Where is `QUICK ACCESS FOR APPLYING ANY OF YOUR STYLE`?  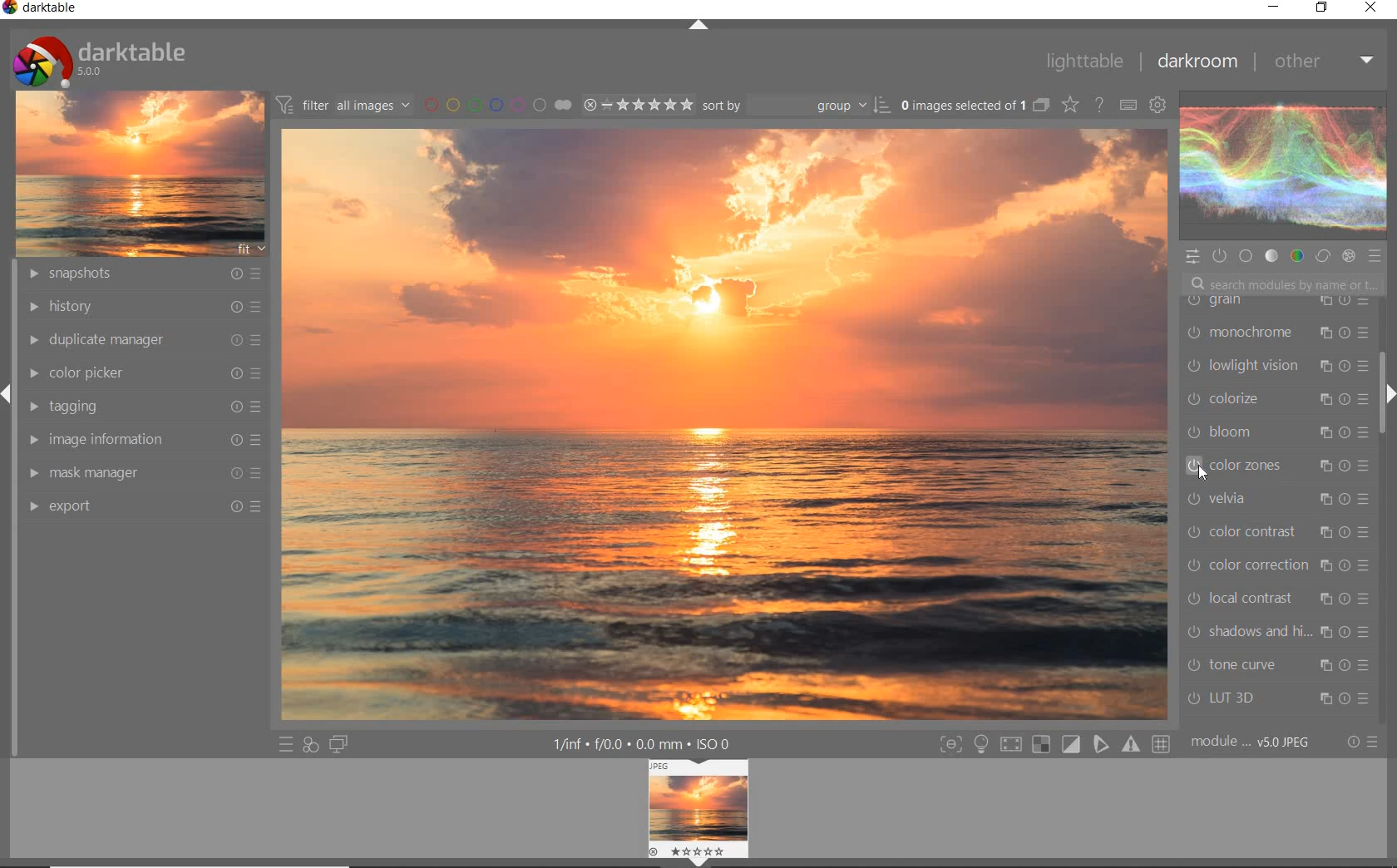 QUICK ACCESS FOR APPLYING ANY OF YOUR STYLE is located at coordinates (309, 746).